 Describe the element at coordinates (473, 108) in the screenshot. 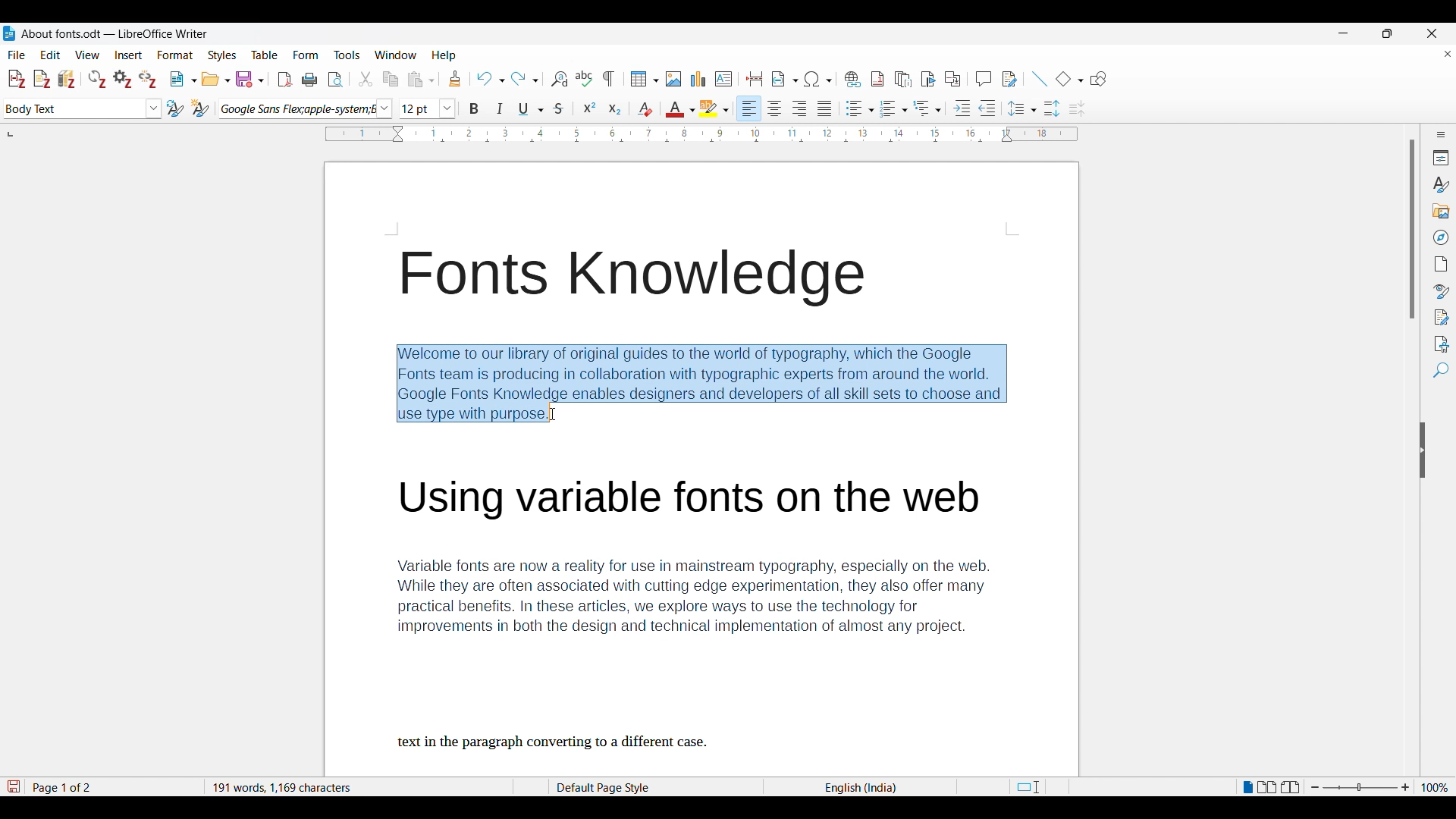

I see `Bold` at that location.